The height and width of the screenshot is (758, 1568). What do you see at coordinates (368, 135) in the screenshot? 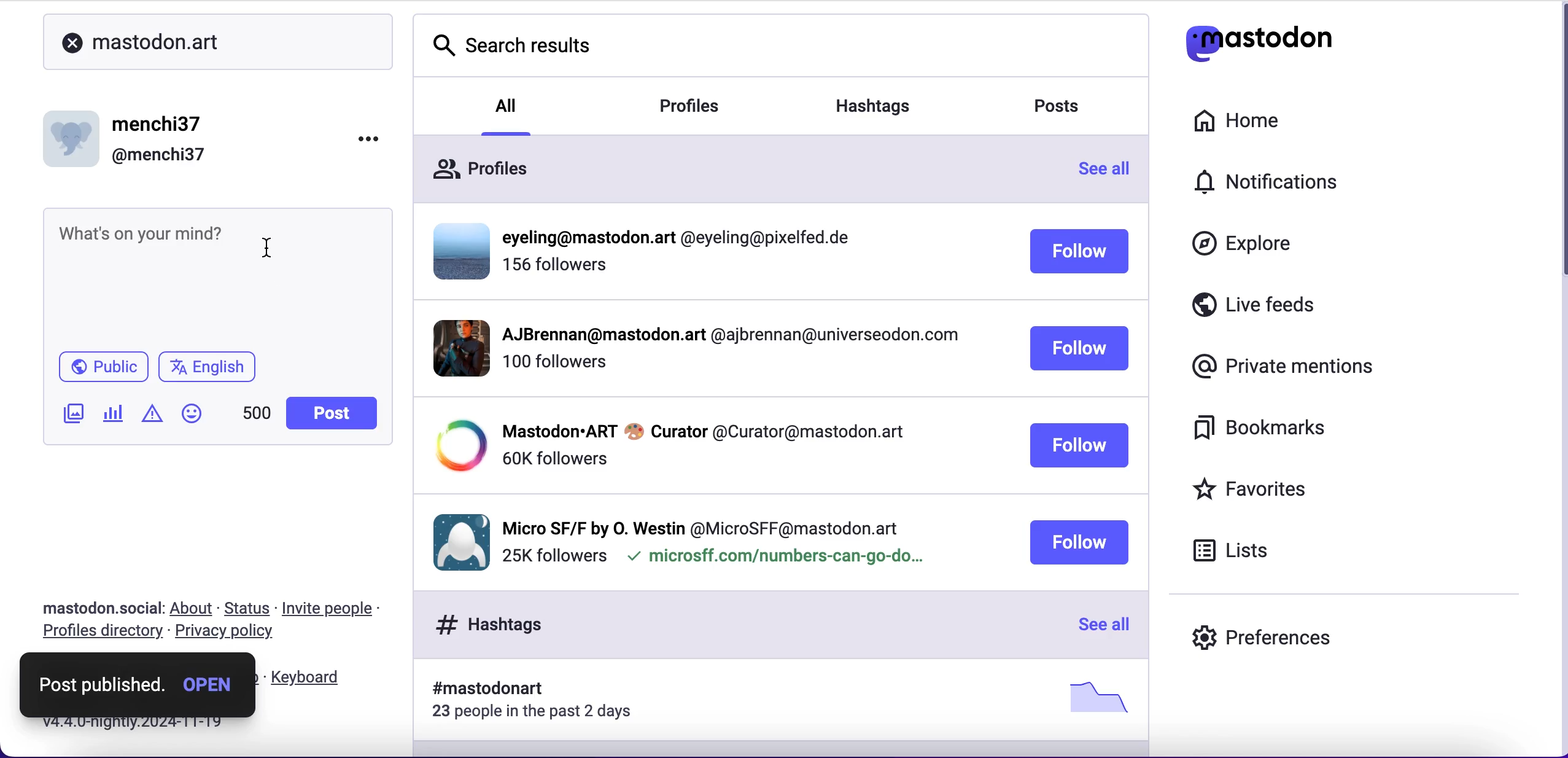
I see `options` at bounding box center [368, 135].